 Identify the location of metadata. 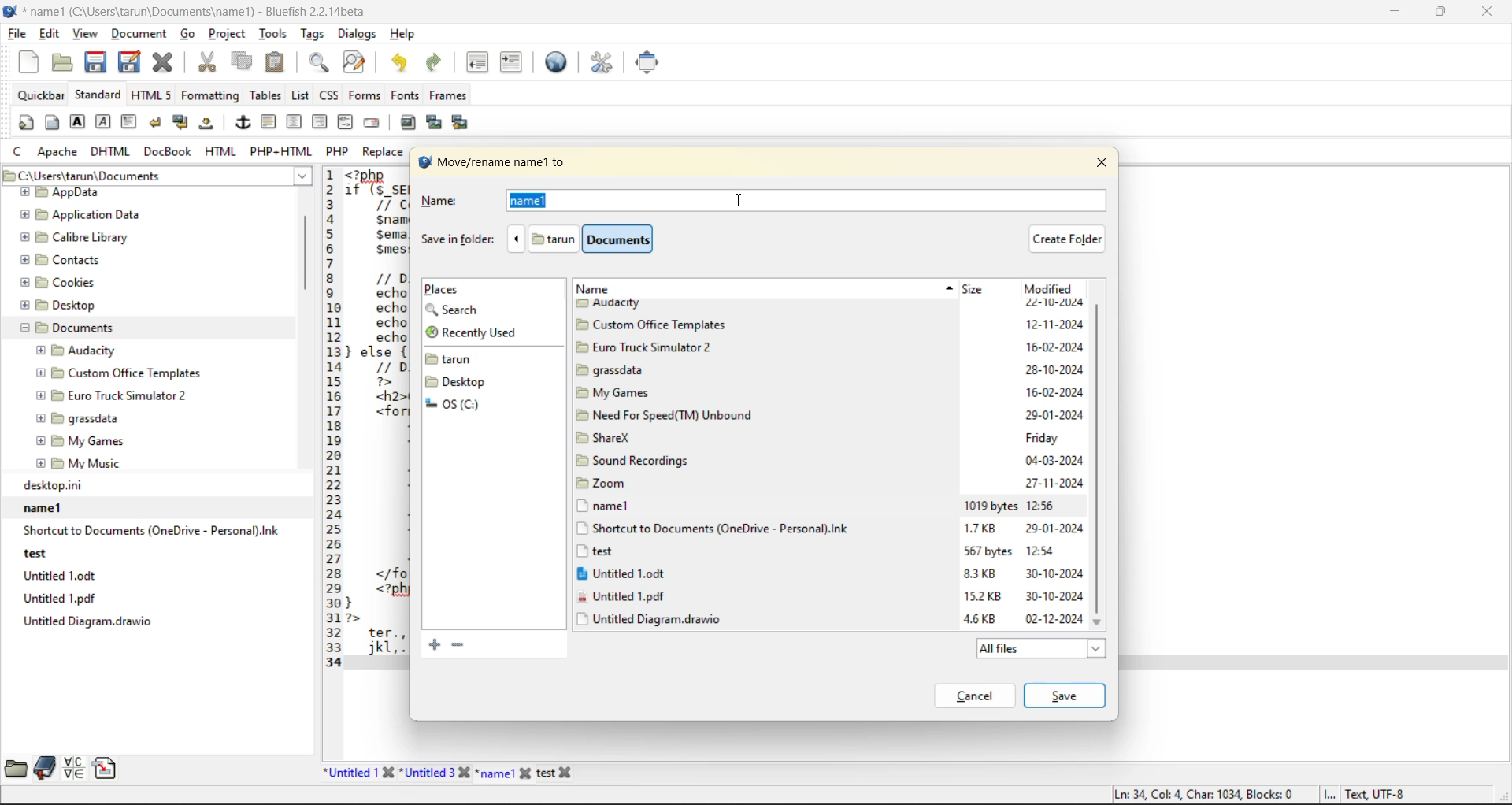
(1259, 793).